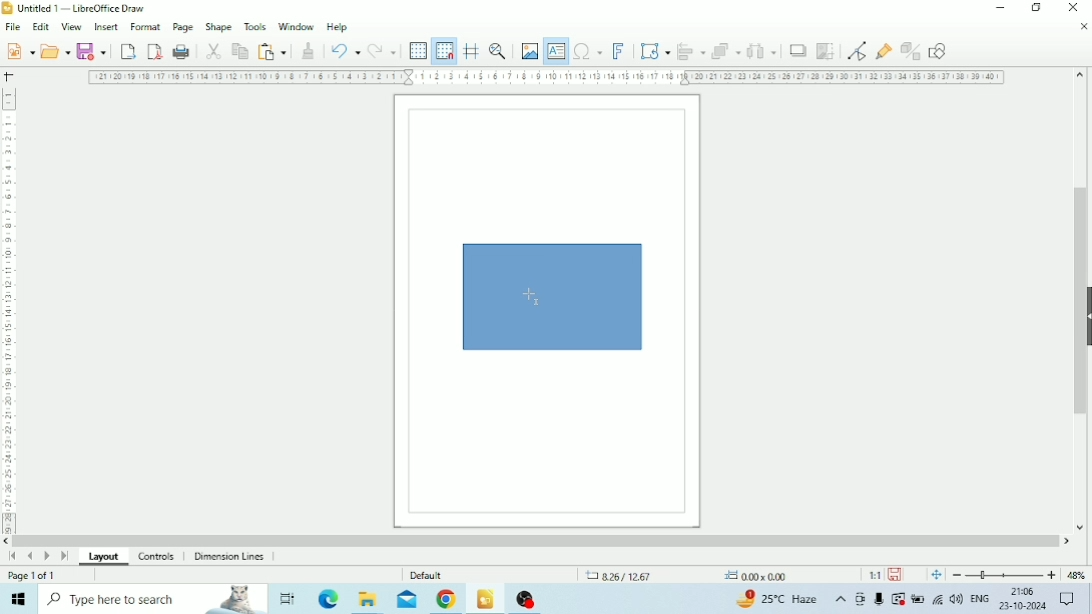 The image size is (1092, 614). Describe the element at coordinates (779, 598) in the screenshot. I see `Temperature` at that location.